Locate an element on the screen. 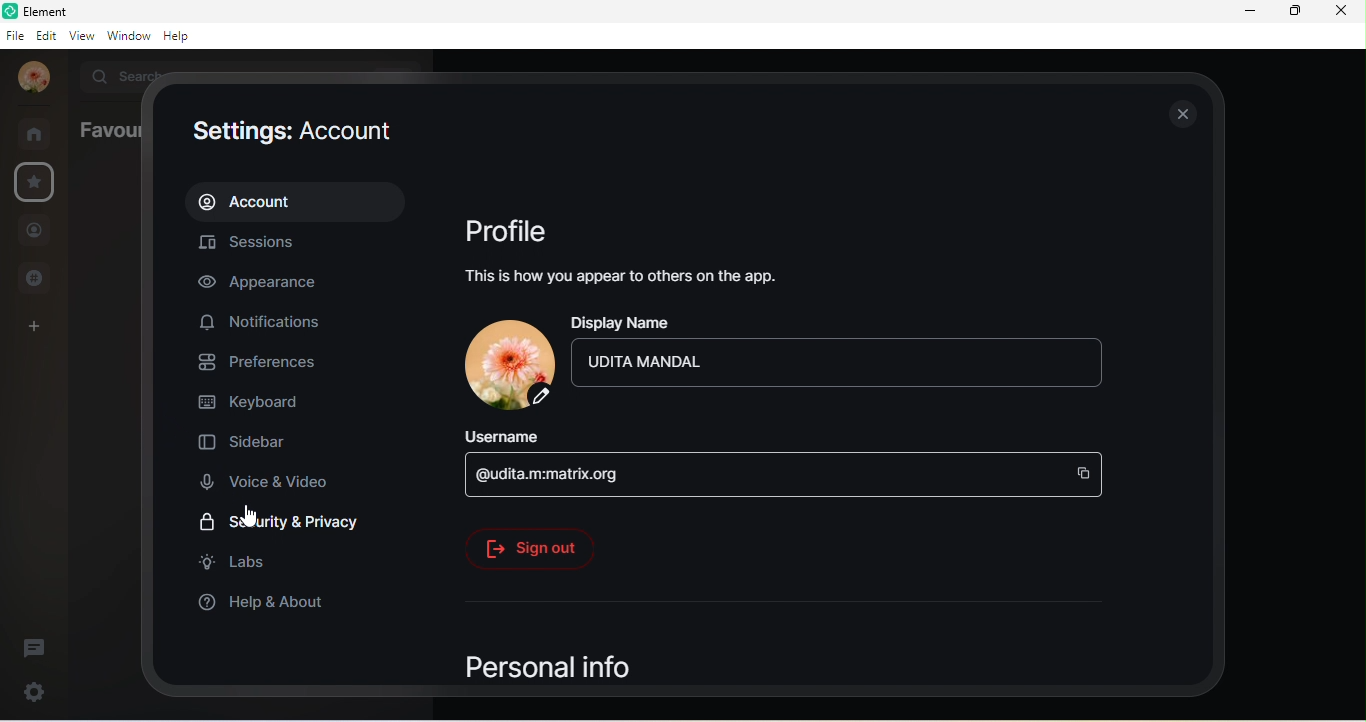  quick settings is located at coordinates (30, 689).